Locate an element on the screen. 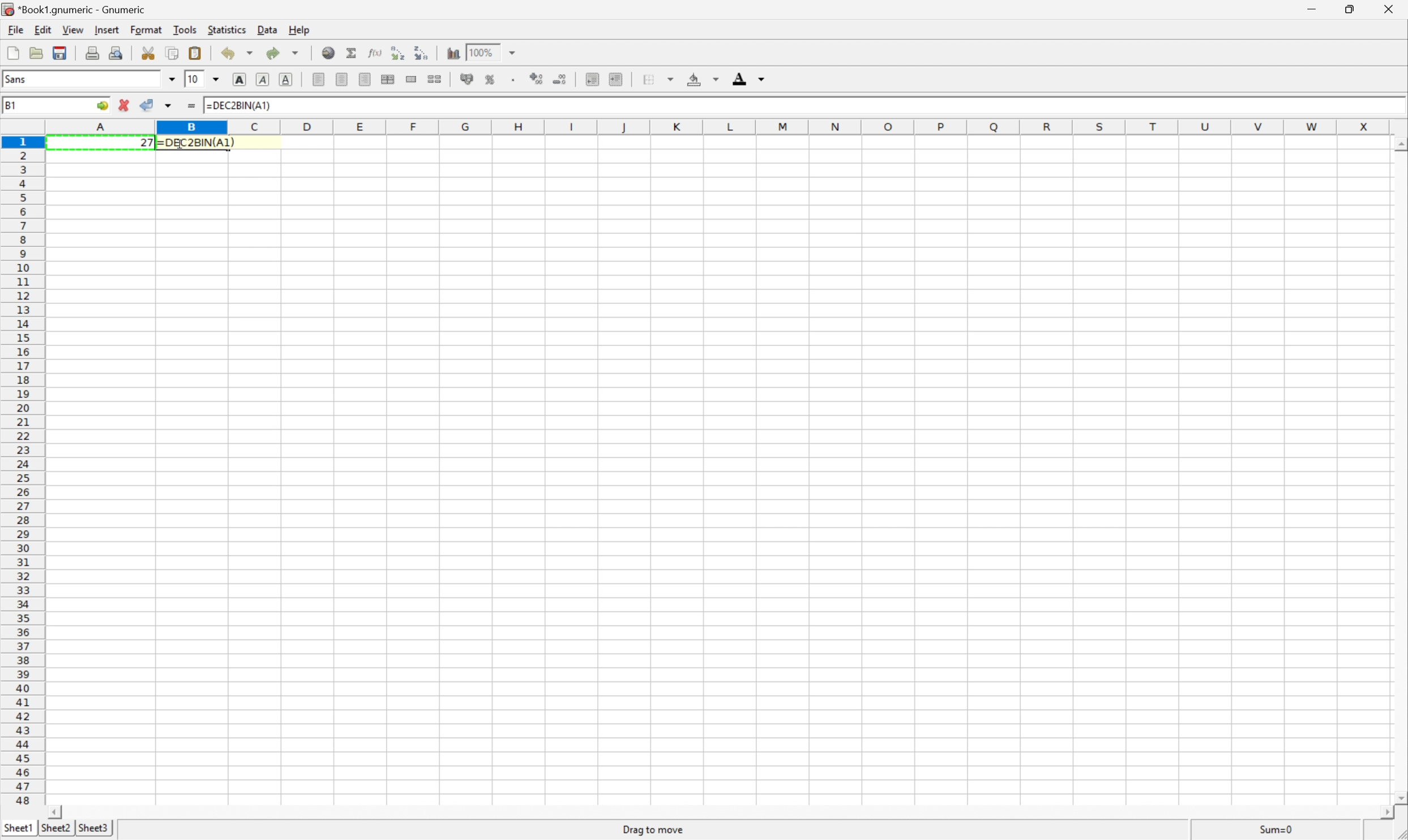 This screenshot has height=840, width=1408. Redo is located at coordinates (281, 53).